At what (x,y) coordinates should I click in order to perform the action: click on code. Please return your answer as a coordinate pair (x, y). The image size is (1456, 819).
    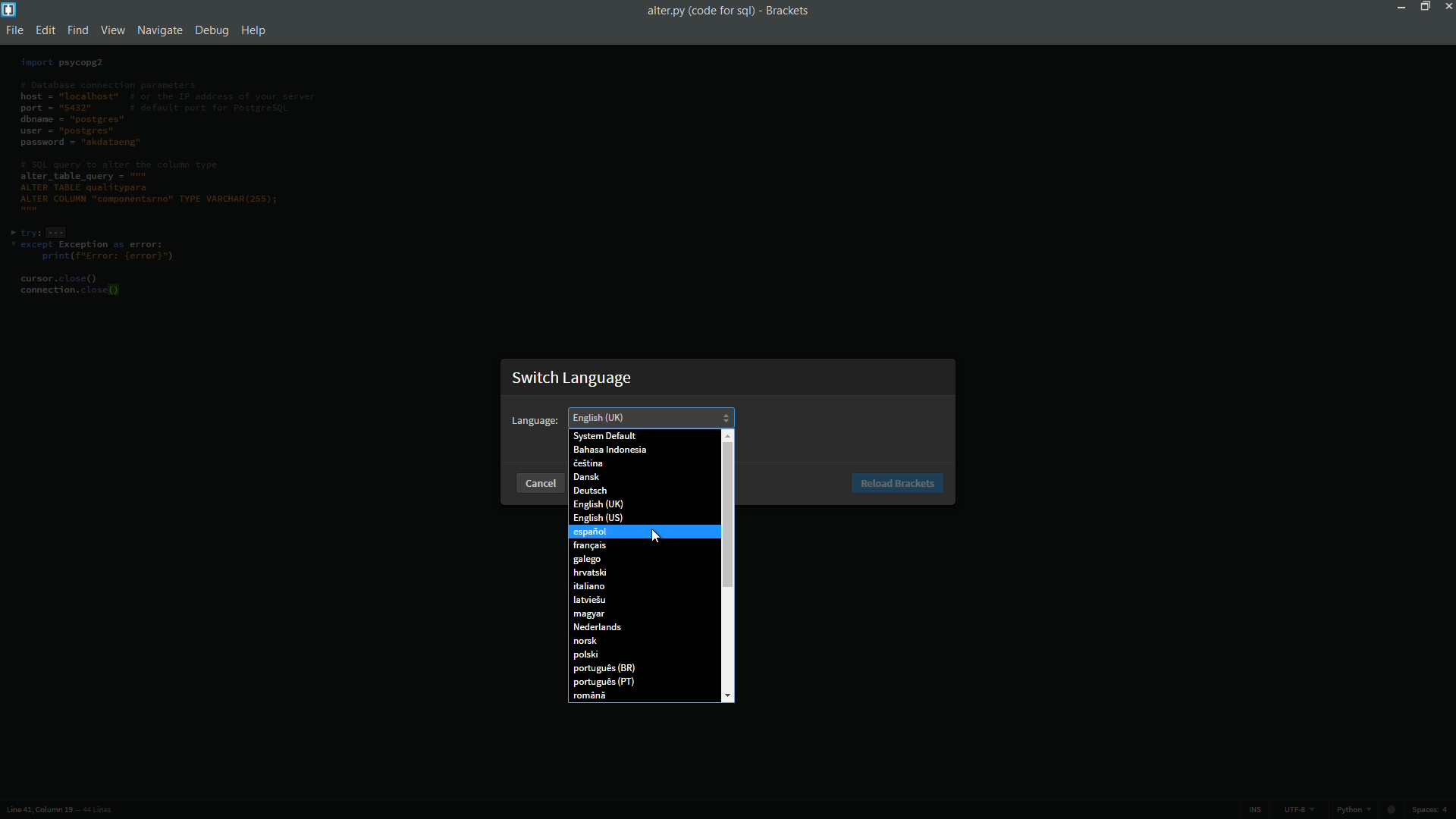
    Looking at the image, I should click on (175, 180).